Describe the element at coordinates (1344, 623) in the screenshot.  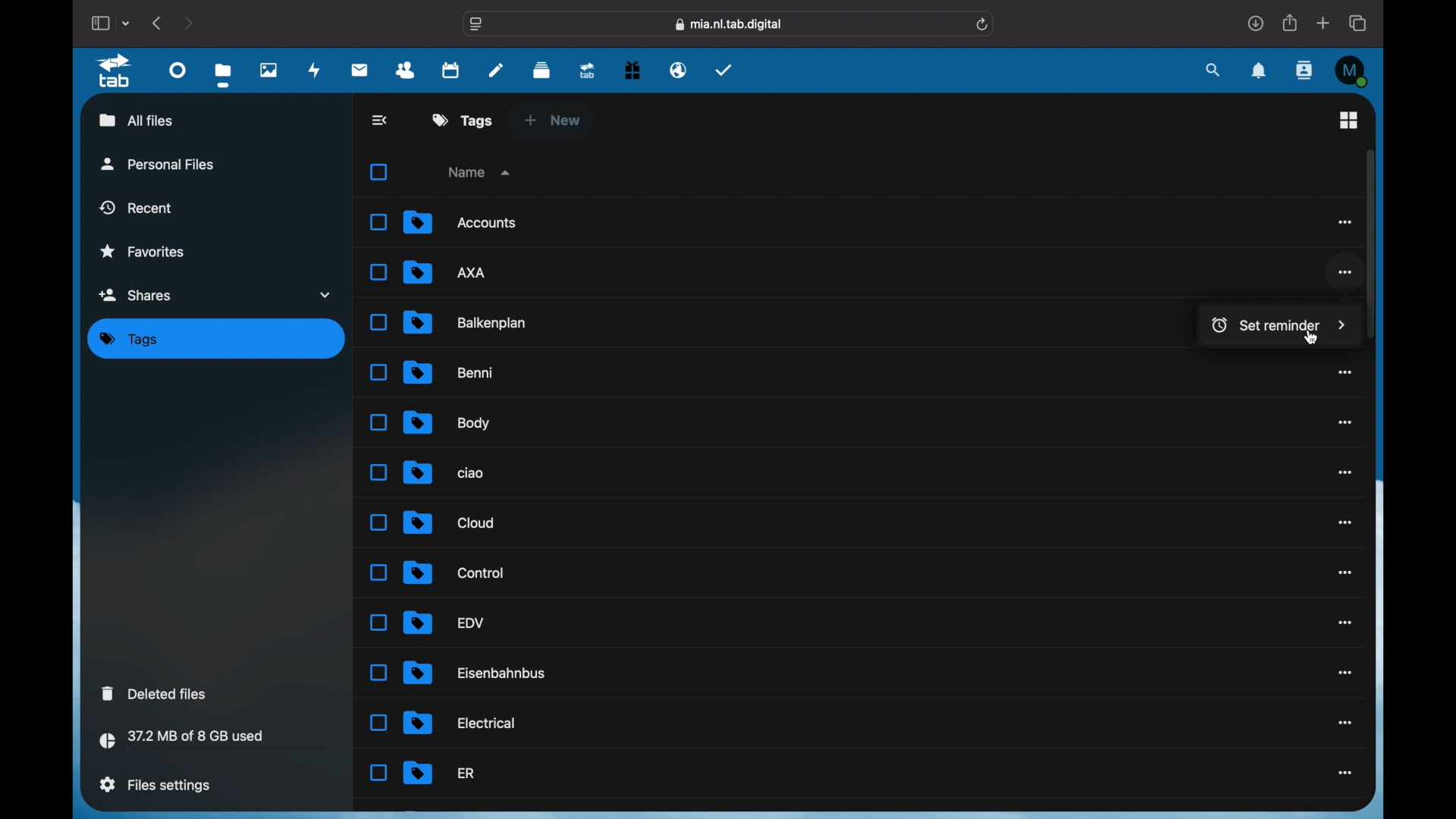
I see `more options` at that location.